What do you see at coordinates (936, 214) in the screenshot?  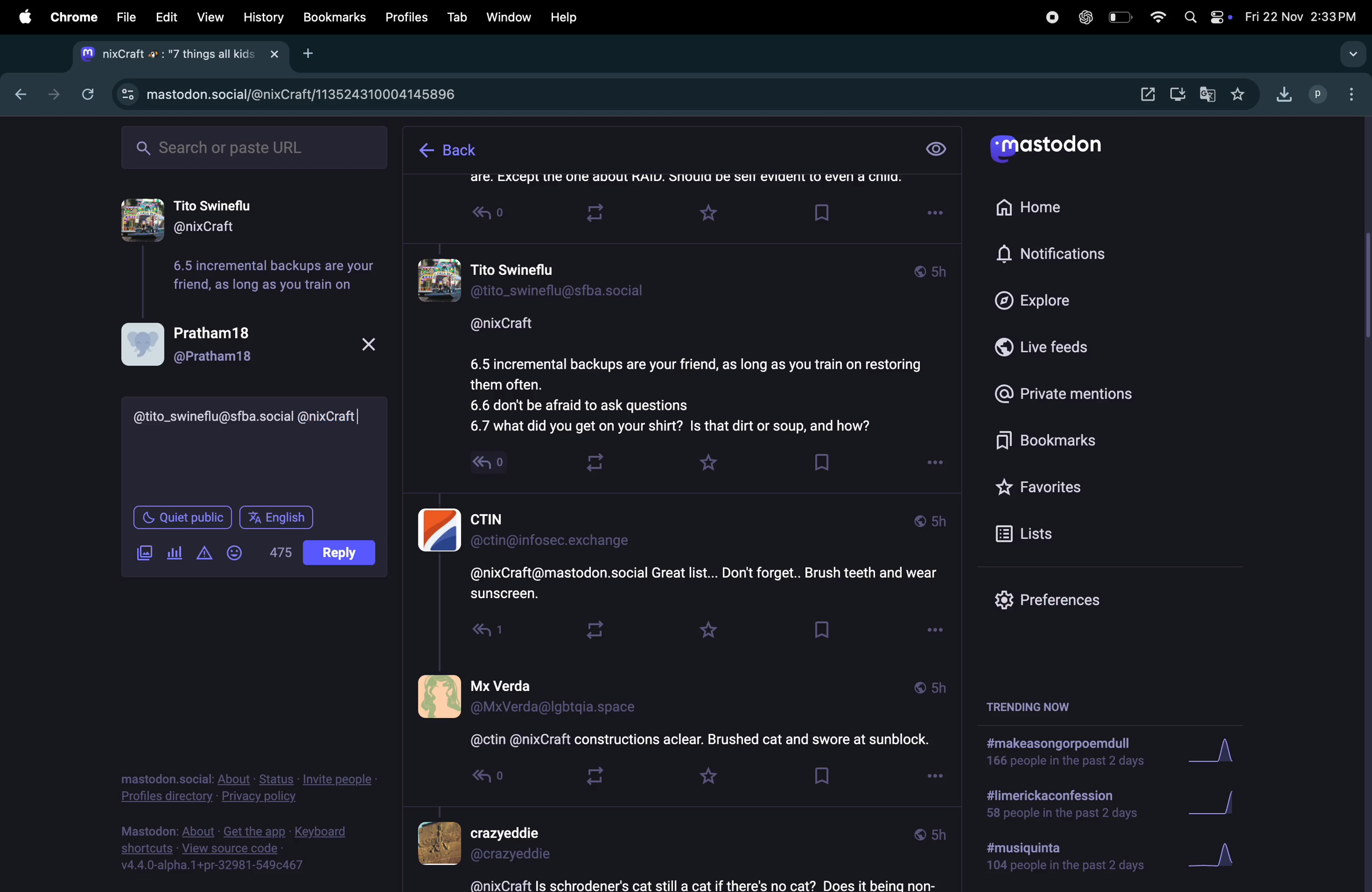 I see `Options` at bounding box center [936, 214].